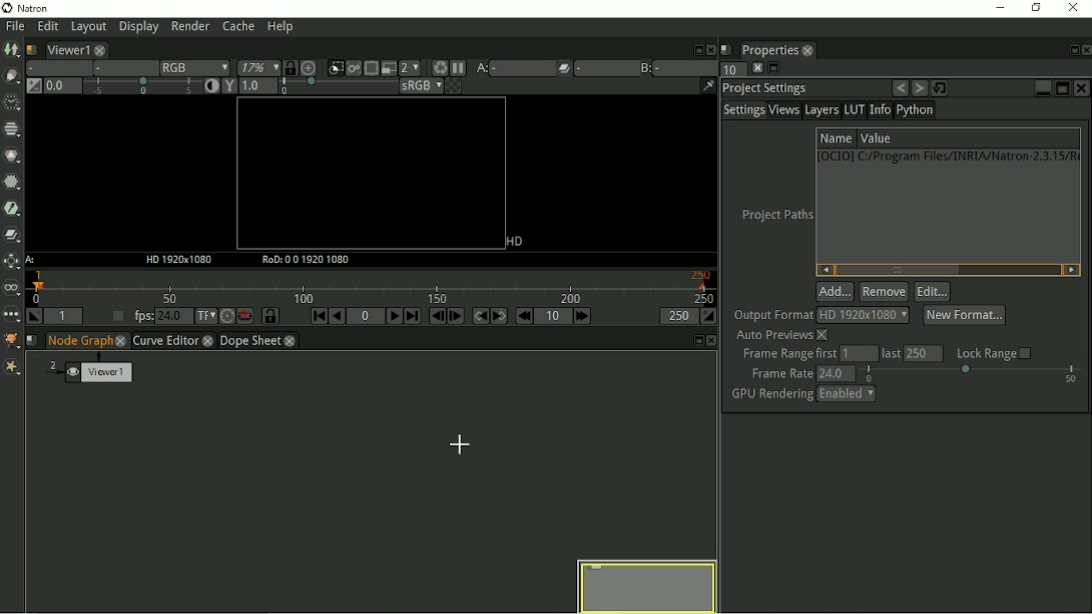  I want to click on Float pane, so click(1070, 50).